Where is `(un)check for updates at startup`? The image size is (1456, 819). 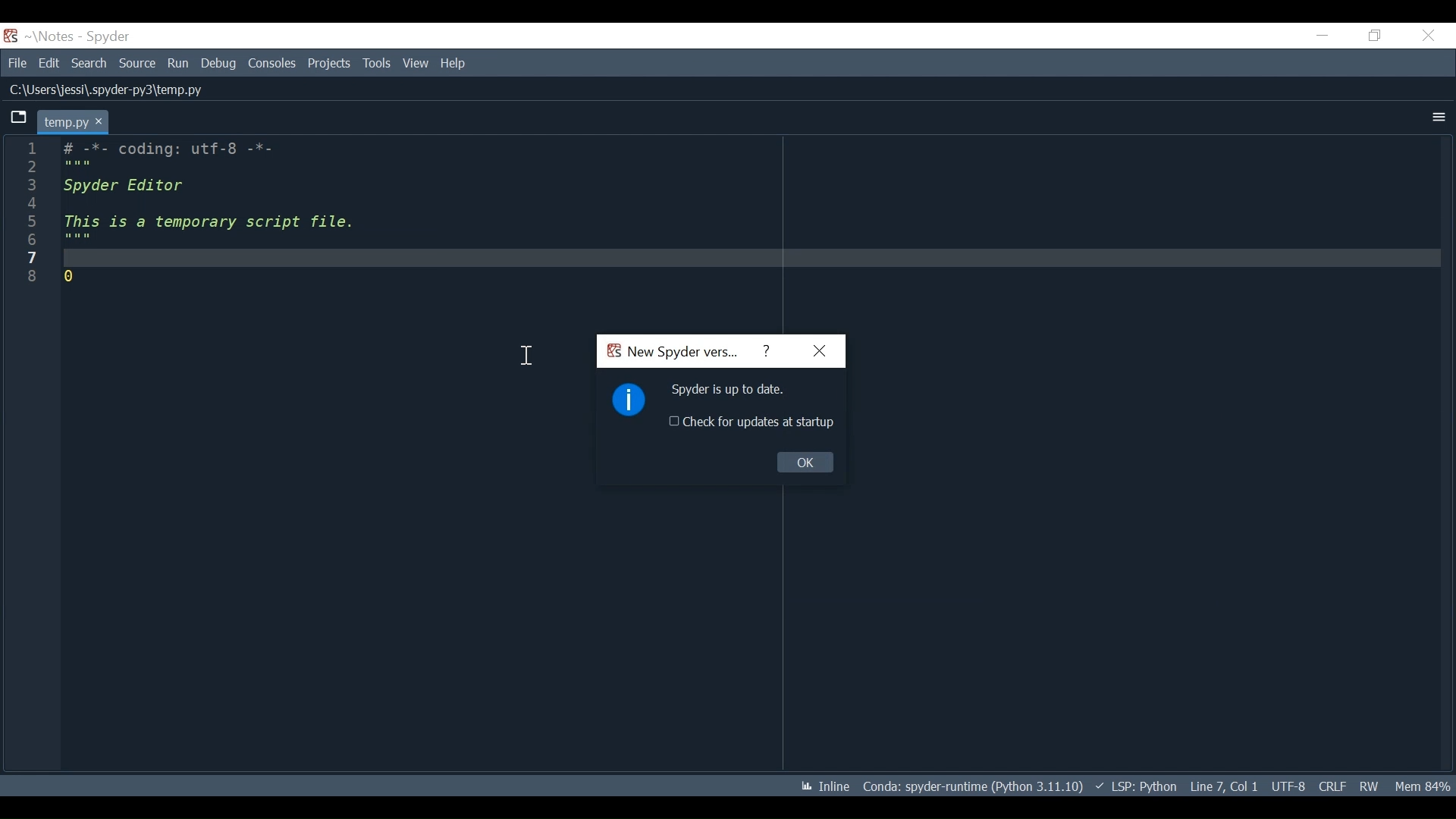 (un)check for updates at startup is located at coordinates (752, 422).